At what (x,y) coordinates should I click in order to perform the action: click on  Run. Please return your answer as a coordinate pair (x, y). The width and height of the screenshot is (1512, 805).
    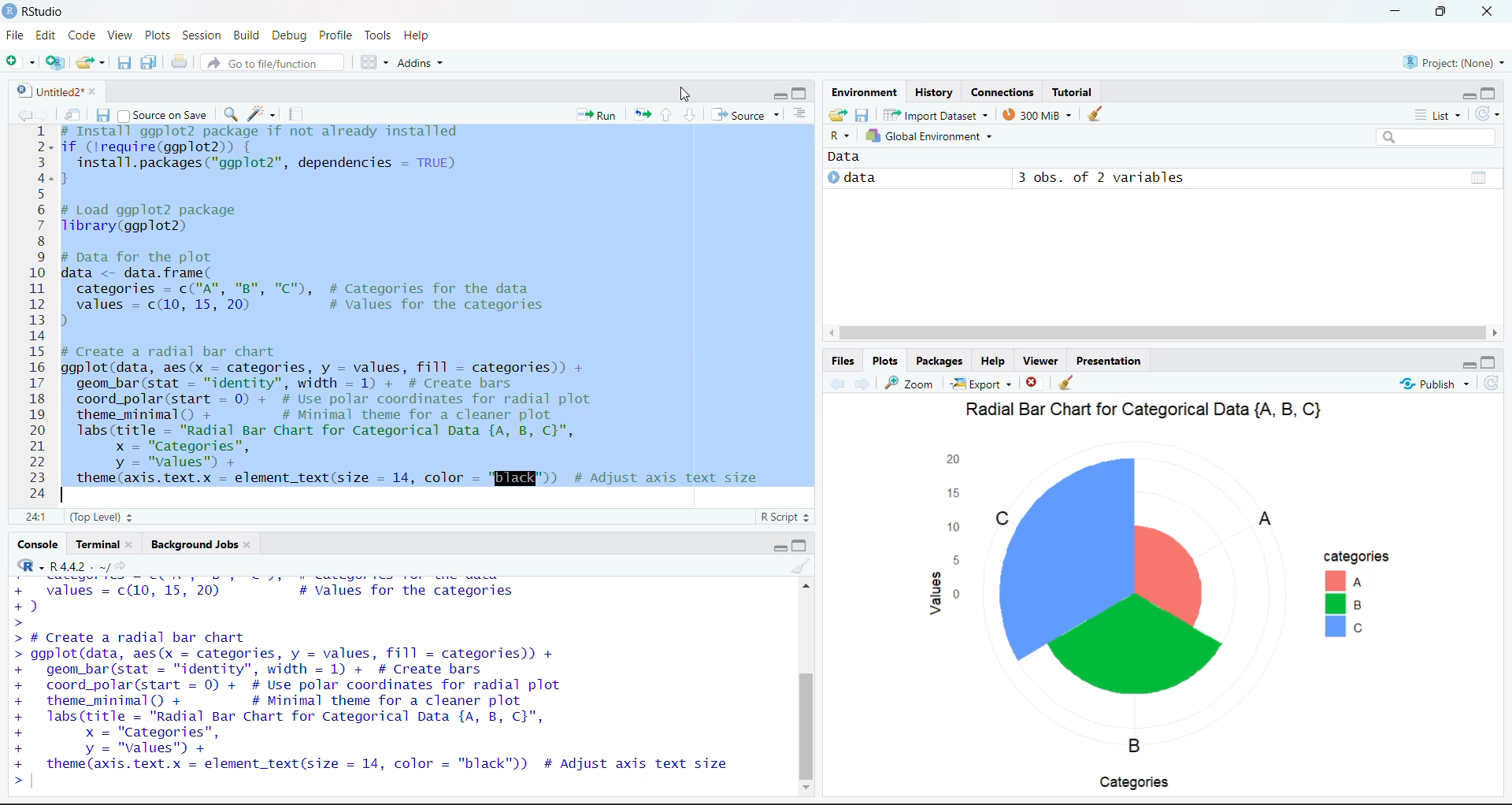
    Looking at the image, I should click on (597, 114).